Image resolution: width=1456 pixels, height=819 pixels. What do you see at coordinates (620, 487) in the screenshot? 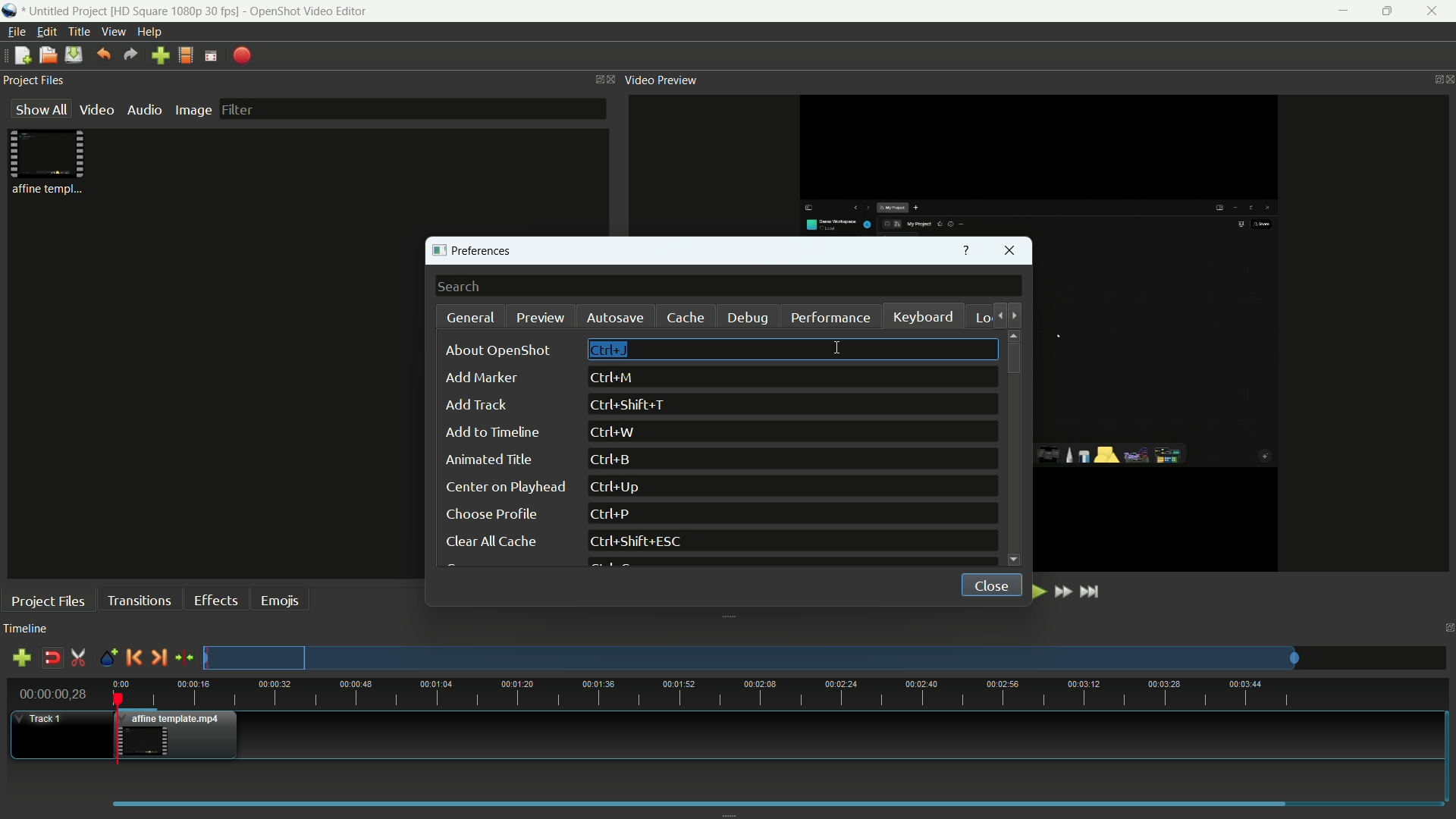
I see `keyboard shortcut` at bounding box center [620, 487].